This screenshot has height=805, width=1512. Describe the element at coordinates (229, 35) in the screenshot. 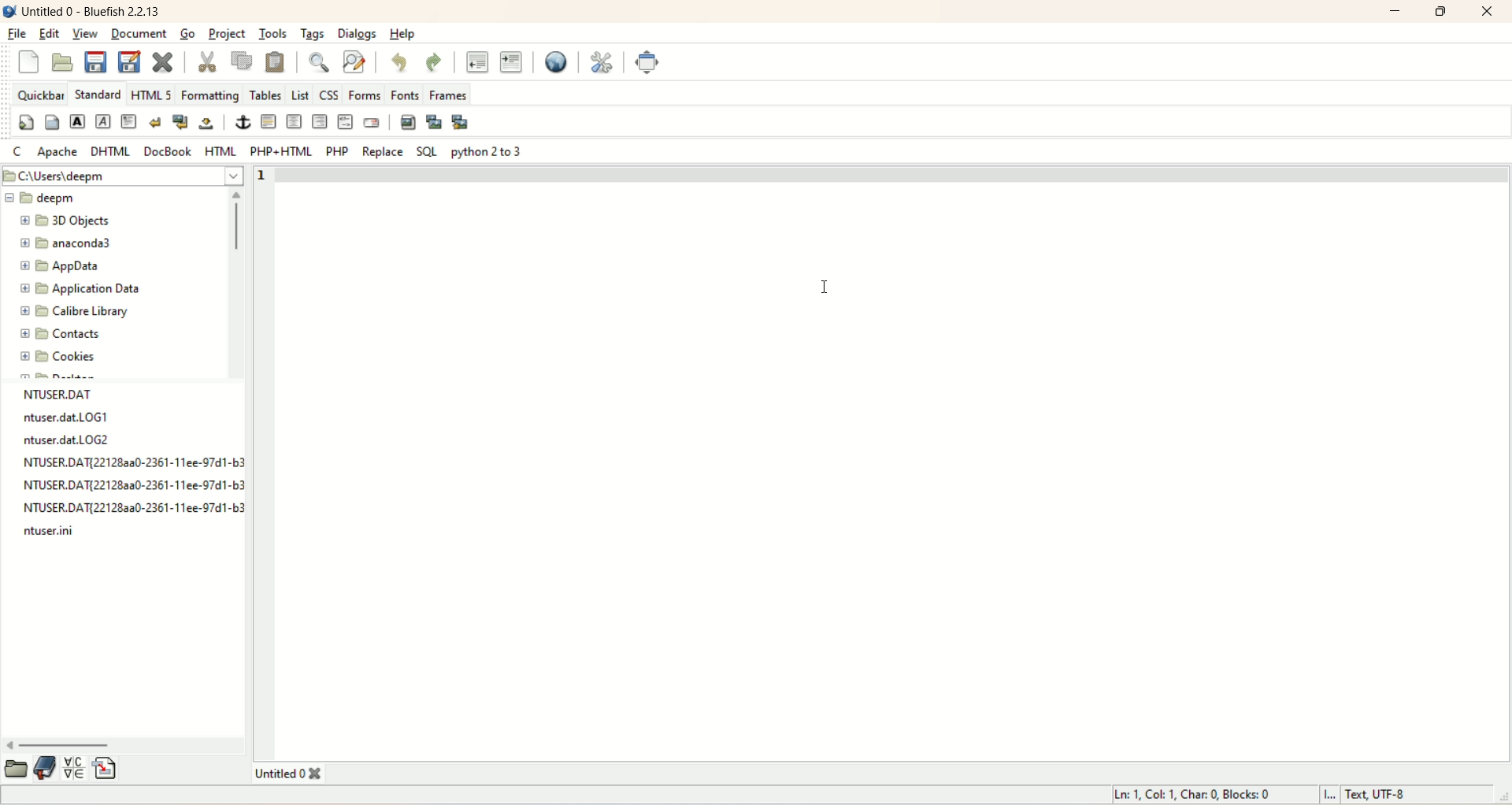

I see `projects` at that location.